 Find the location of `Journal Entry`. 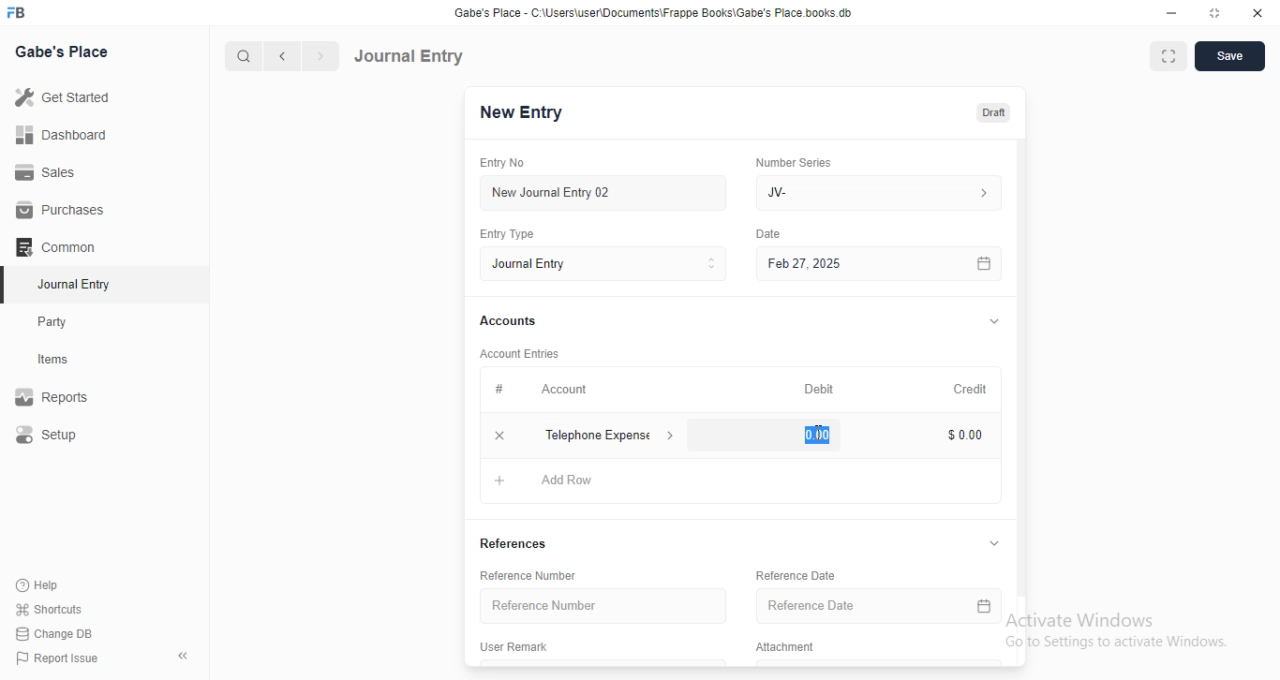

Journal Entry is located at coordinates (70, 284).